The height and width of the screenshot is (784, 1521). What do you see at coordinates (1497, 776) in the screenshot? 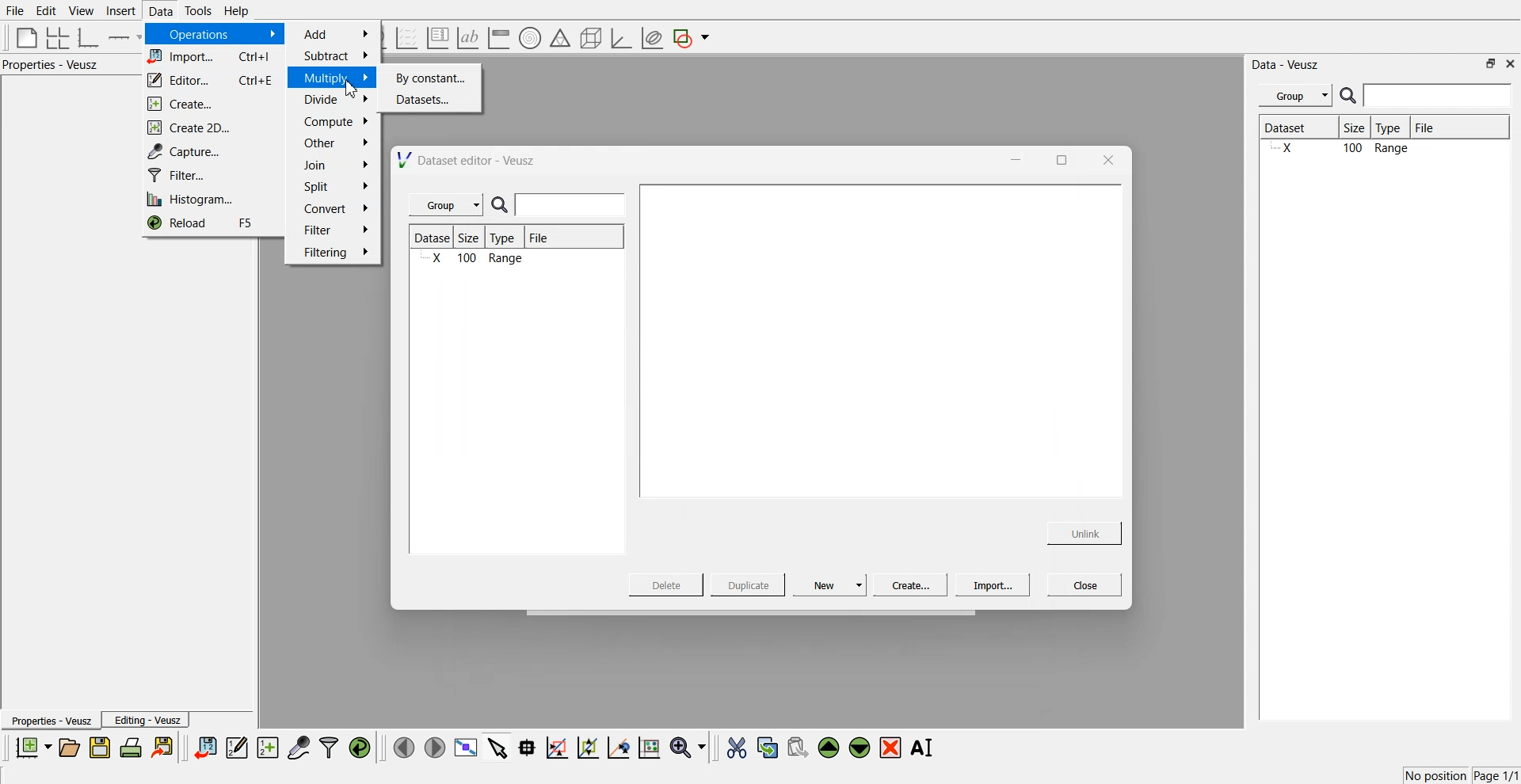
I see `Page 1/1` at bounding box center [1497, 776].